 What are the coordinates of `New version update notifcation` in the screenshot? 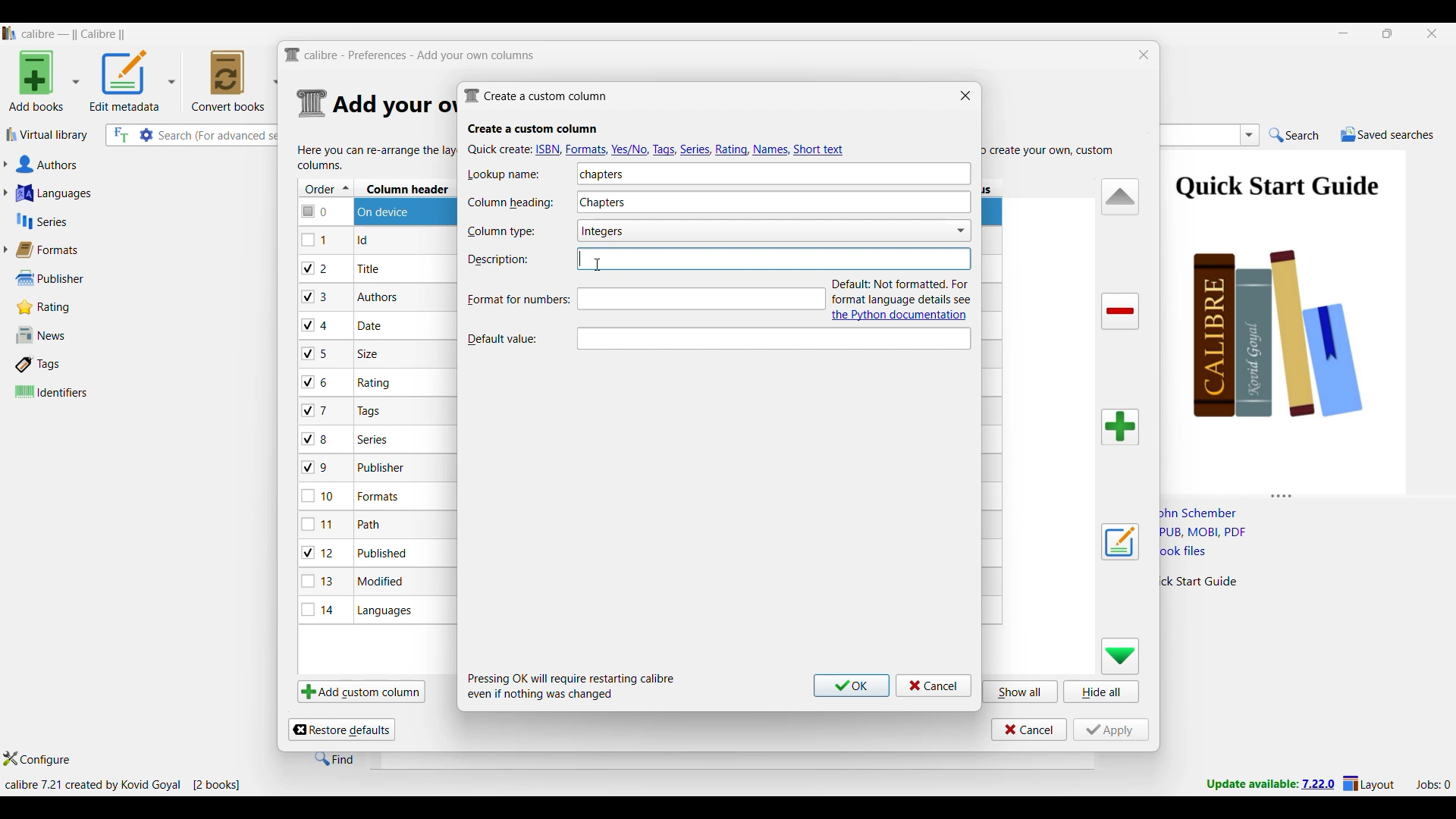 It's located at (1270, 783).